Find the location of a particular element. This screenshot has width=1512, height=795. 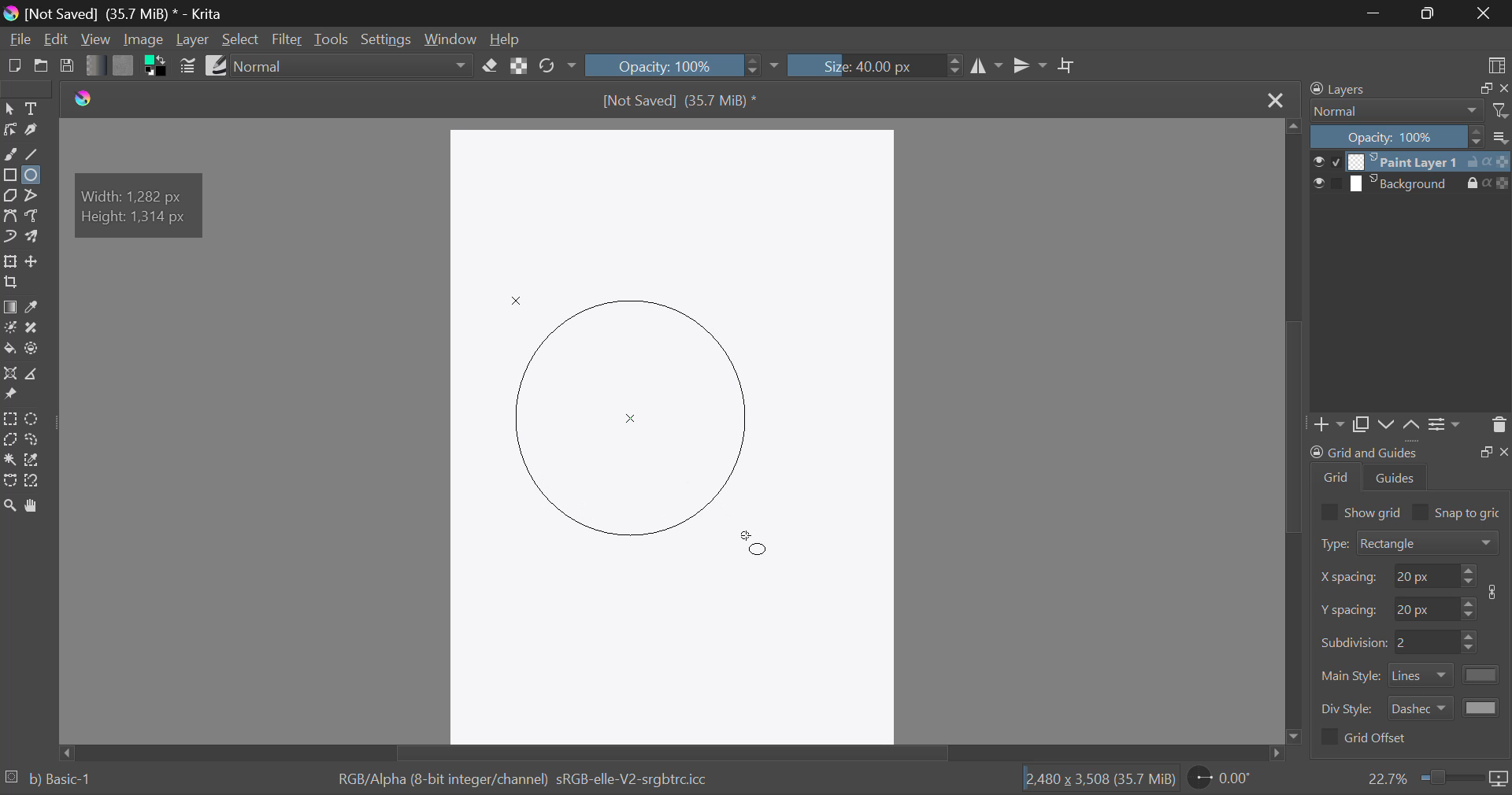

Magnetic Selection is located at coordinates (35, 480).